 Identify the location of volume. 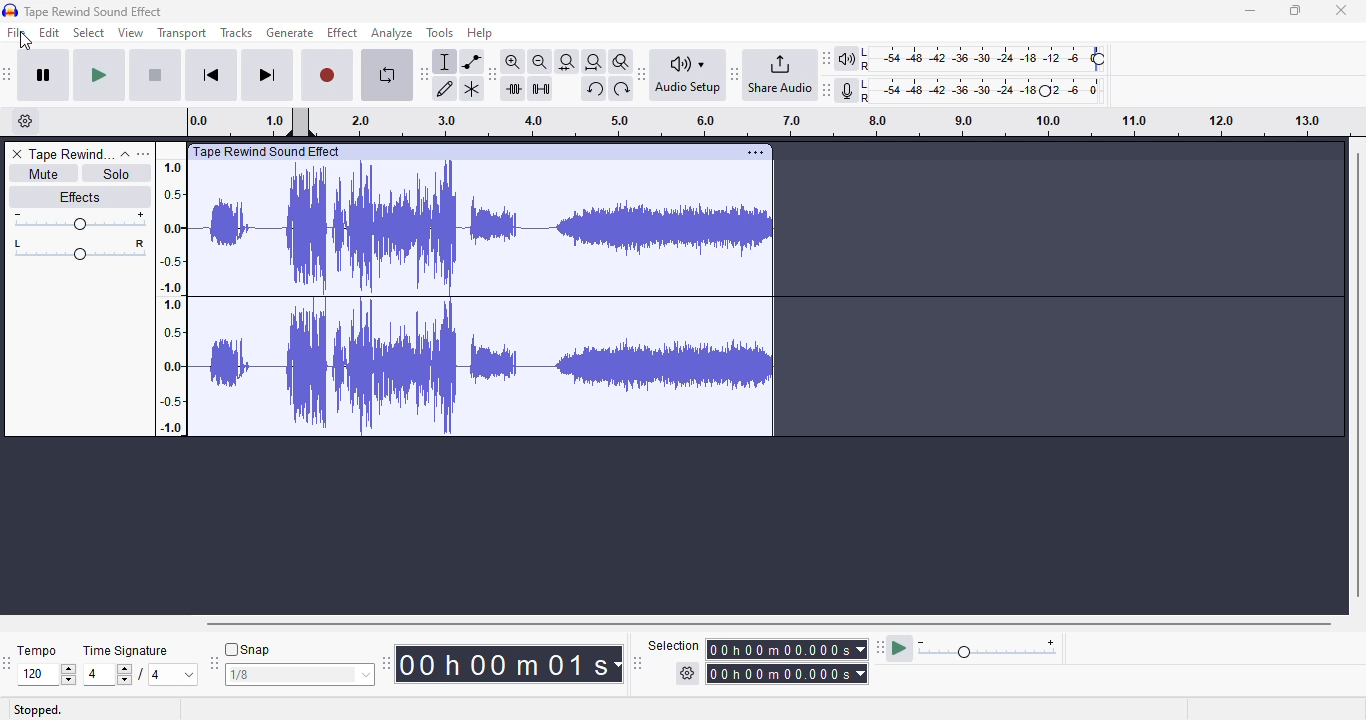
(79, 221).